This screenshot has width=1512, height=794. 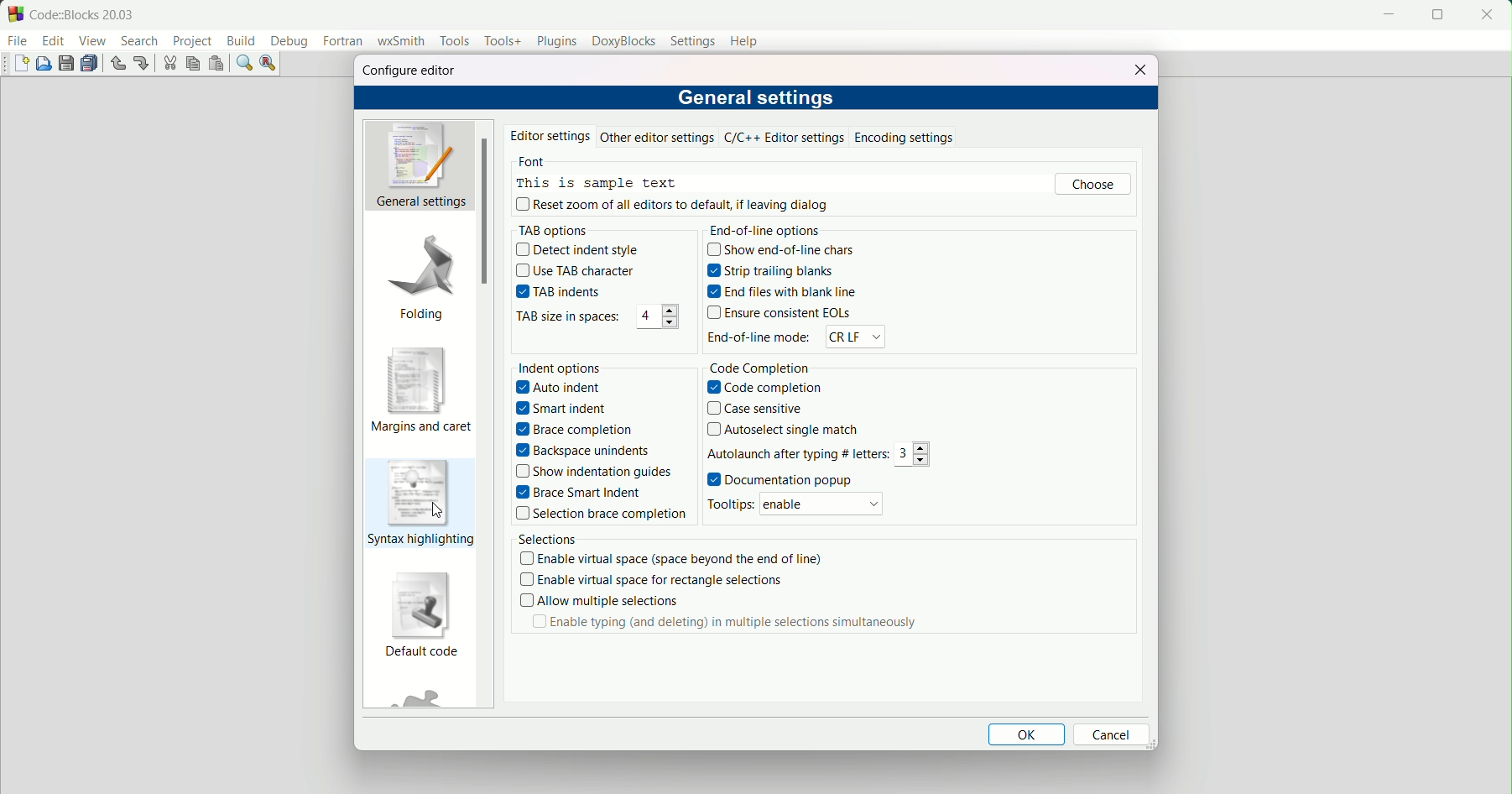 What do you see at coordinates (191, 42) in the screenshot?
I see `project` at bounding box center [191, 42].